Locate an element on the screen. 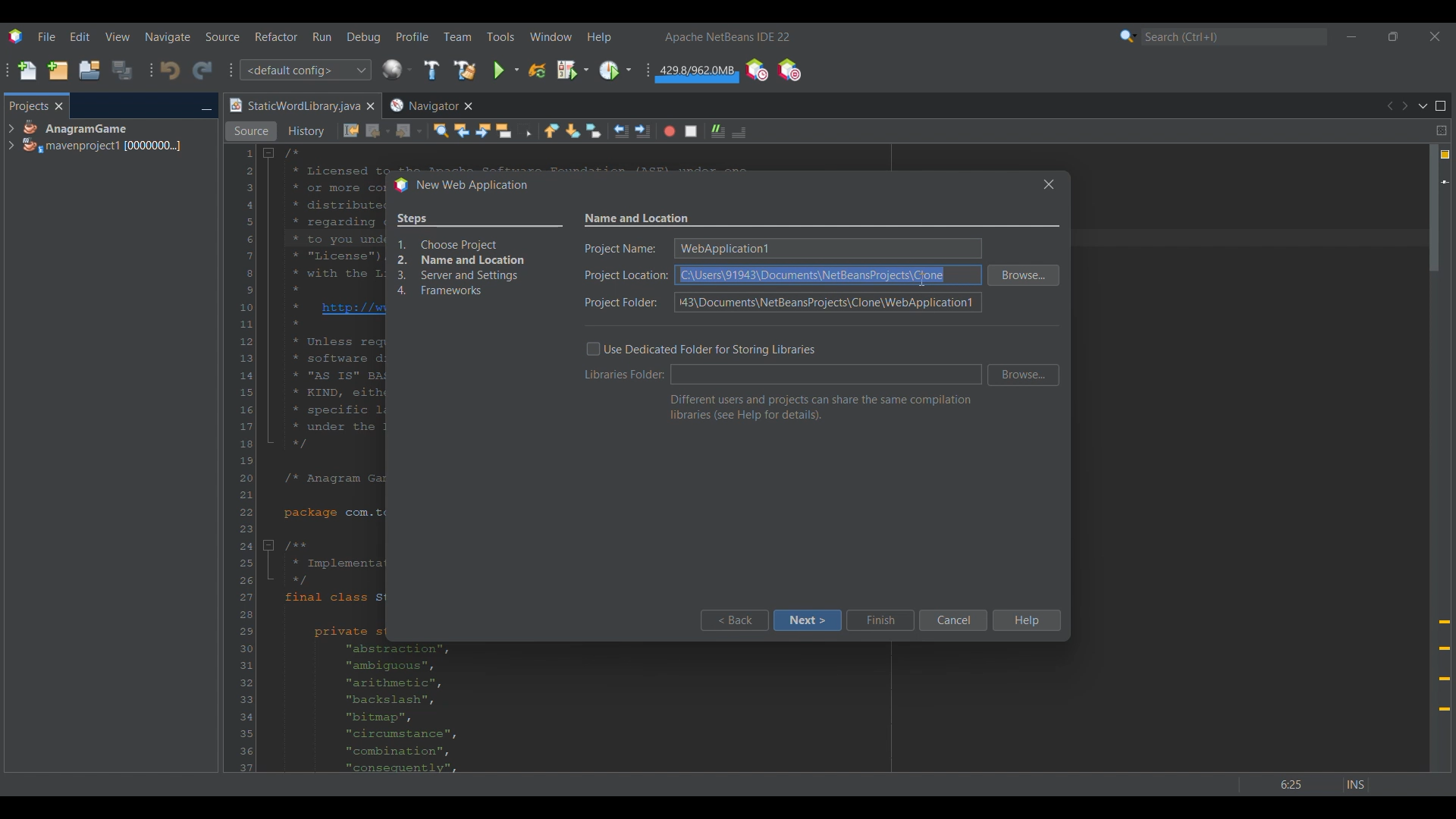  Build main project is located at coordinates (431, 70).